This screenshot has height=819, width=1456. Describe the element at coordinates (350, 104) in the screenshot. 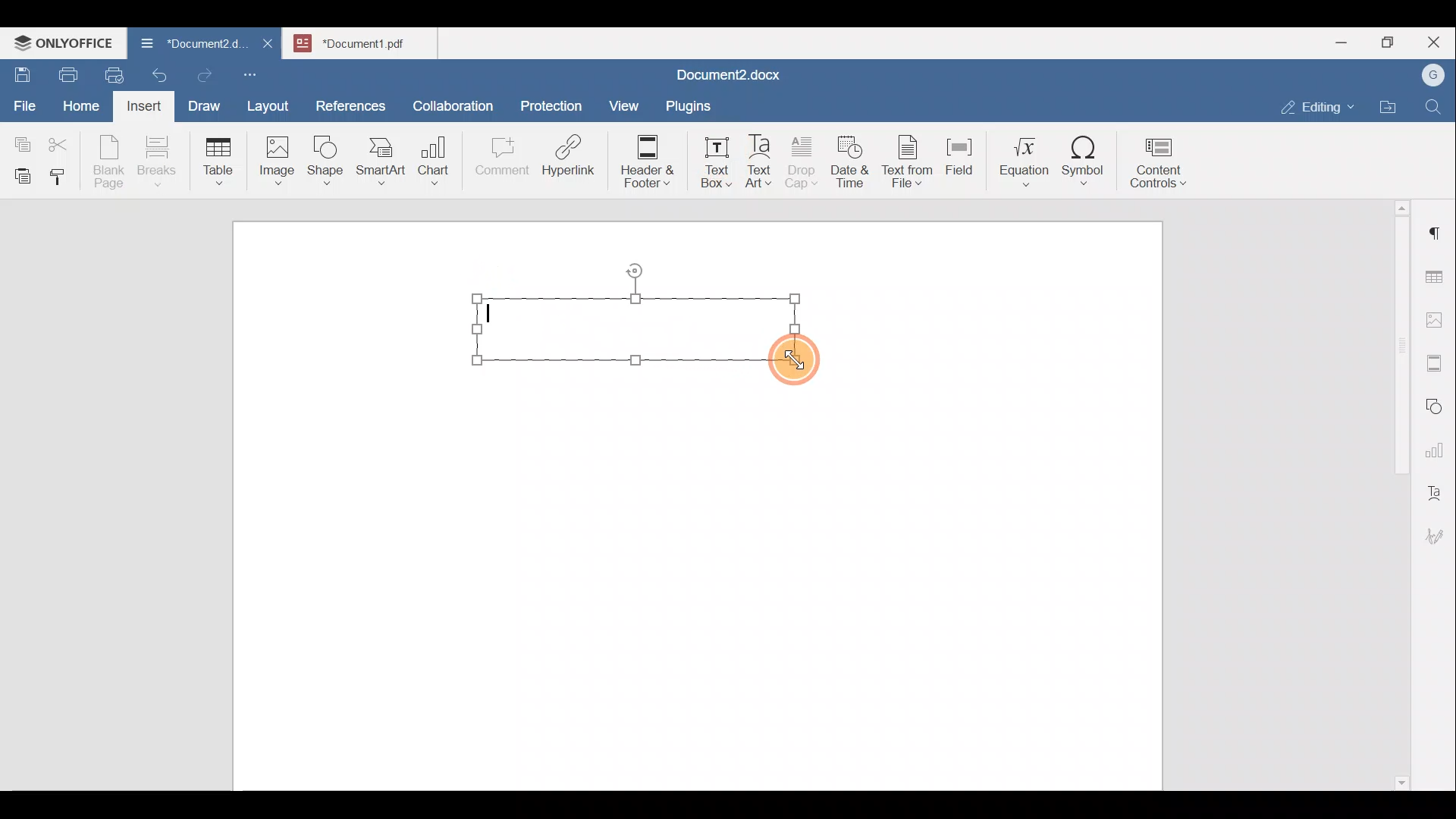

I see `References` at that location.